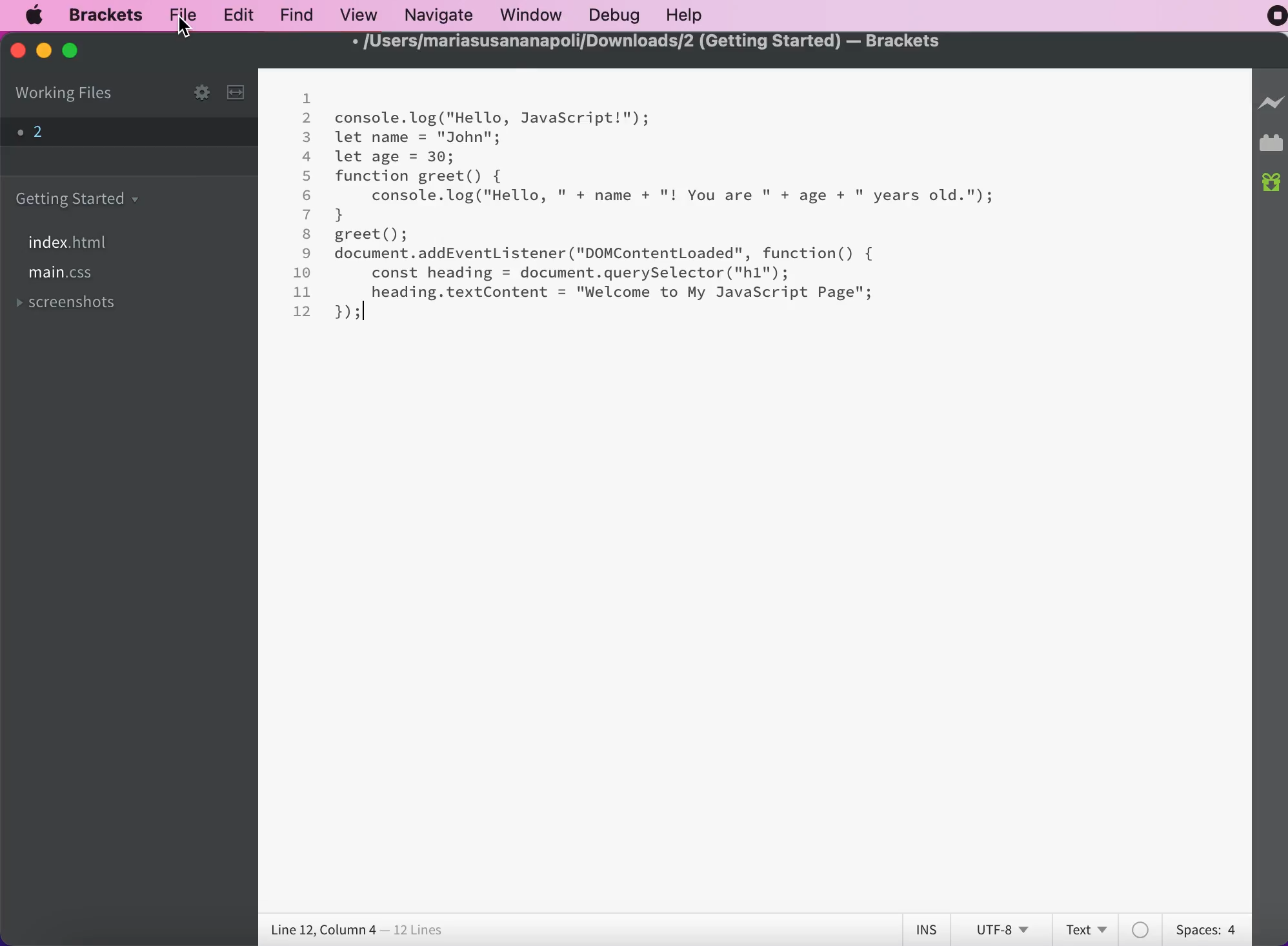 This screenshot has width=1288, height=946. What do you see at coordinates (307, 214) in the screenshot?
I see `7` at bounding box center [307, 214].